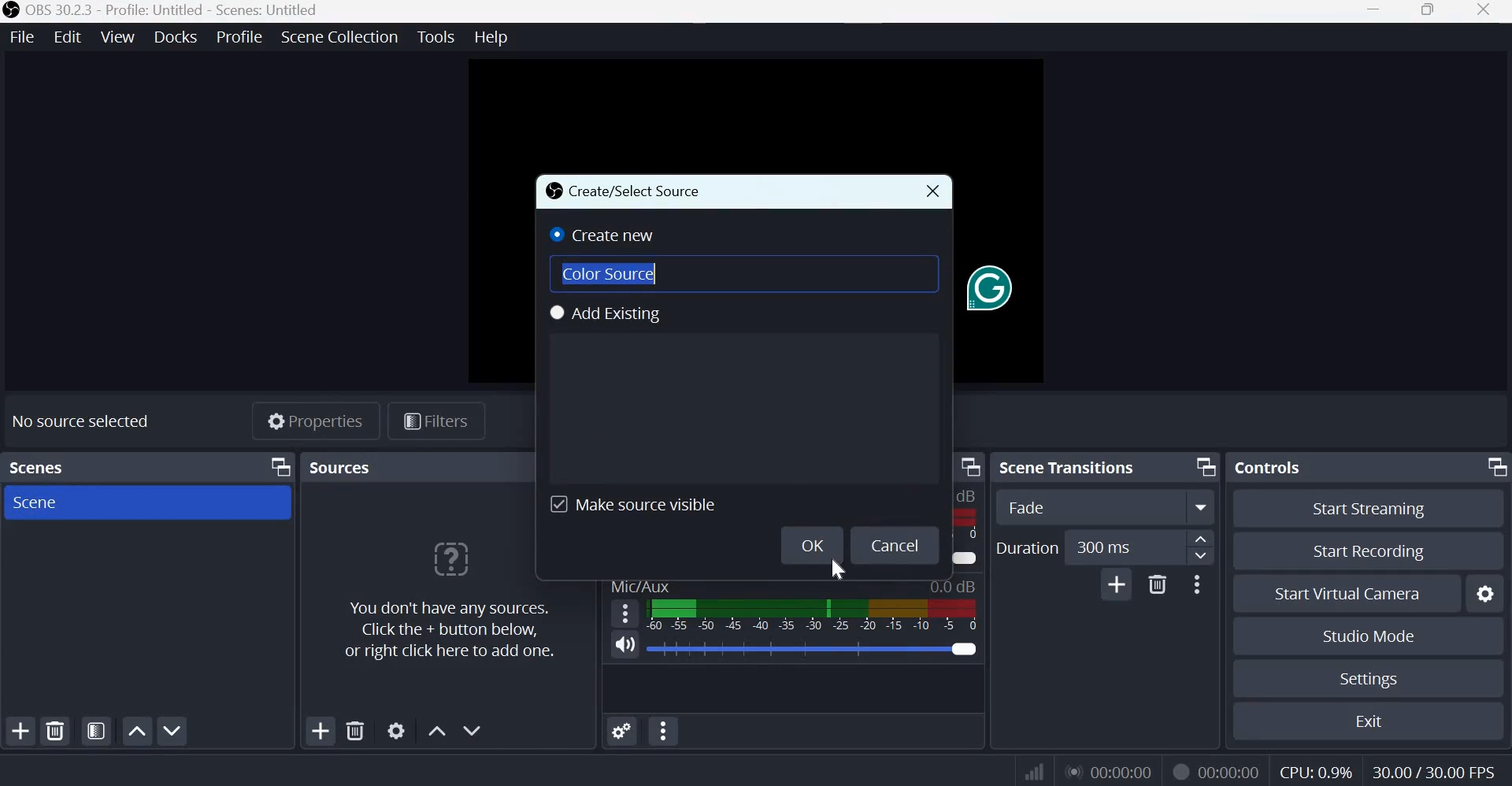  Describe the element at coordinates (1180, 770) in the screenshot. I see `Live Duration Timer` at that location.